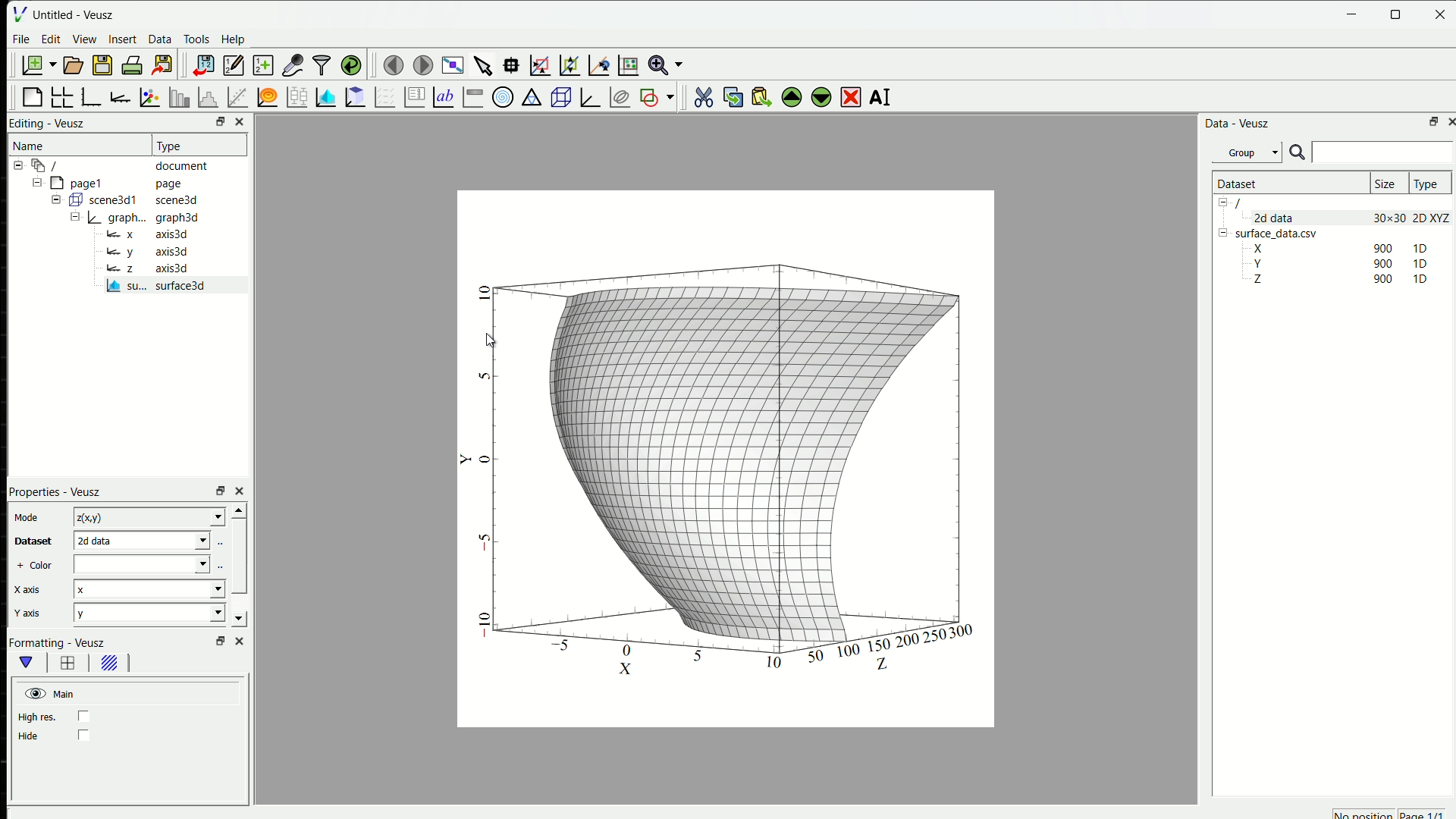  What do you see at coordinates (140, 588) in the screenshot?
I see `x` at bounding box center [140, 588].